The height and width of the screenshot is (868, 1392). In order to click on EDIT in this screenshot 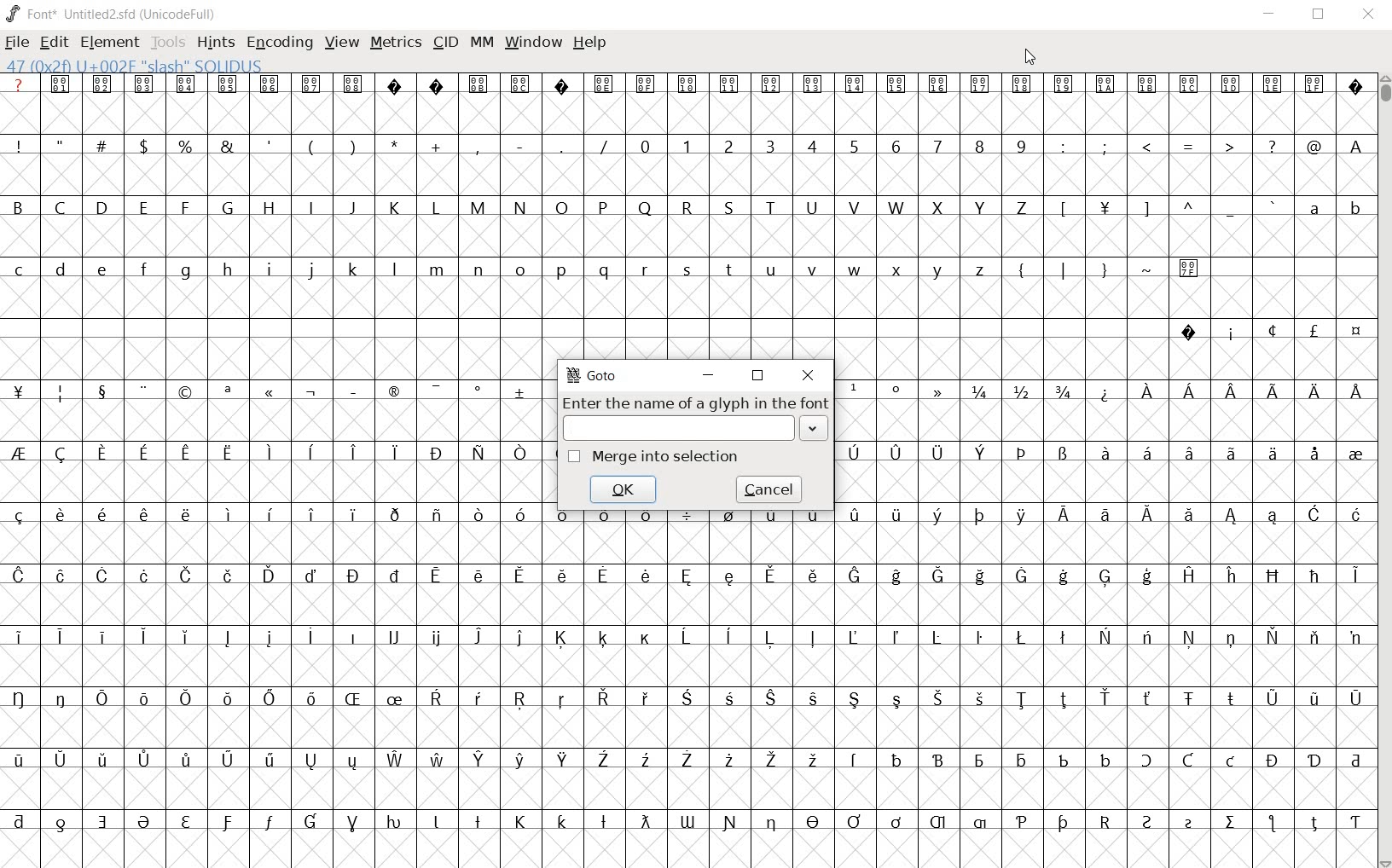, I will do `click(55, 43)`.